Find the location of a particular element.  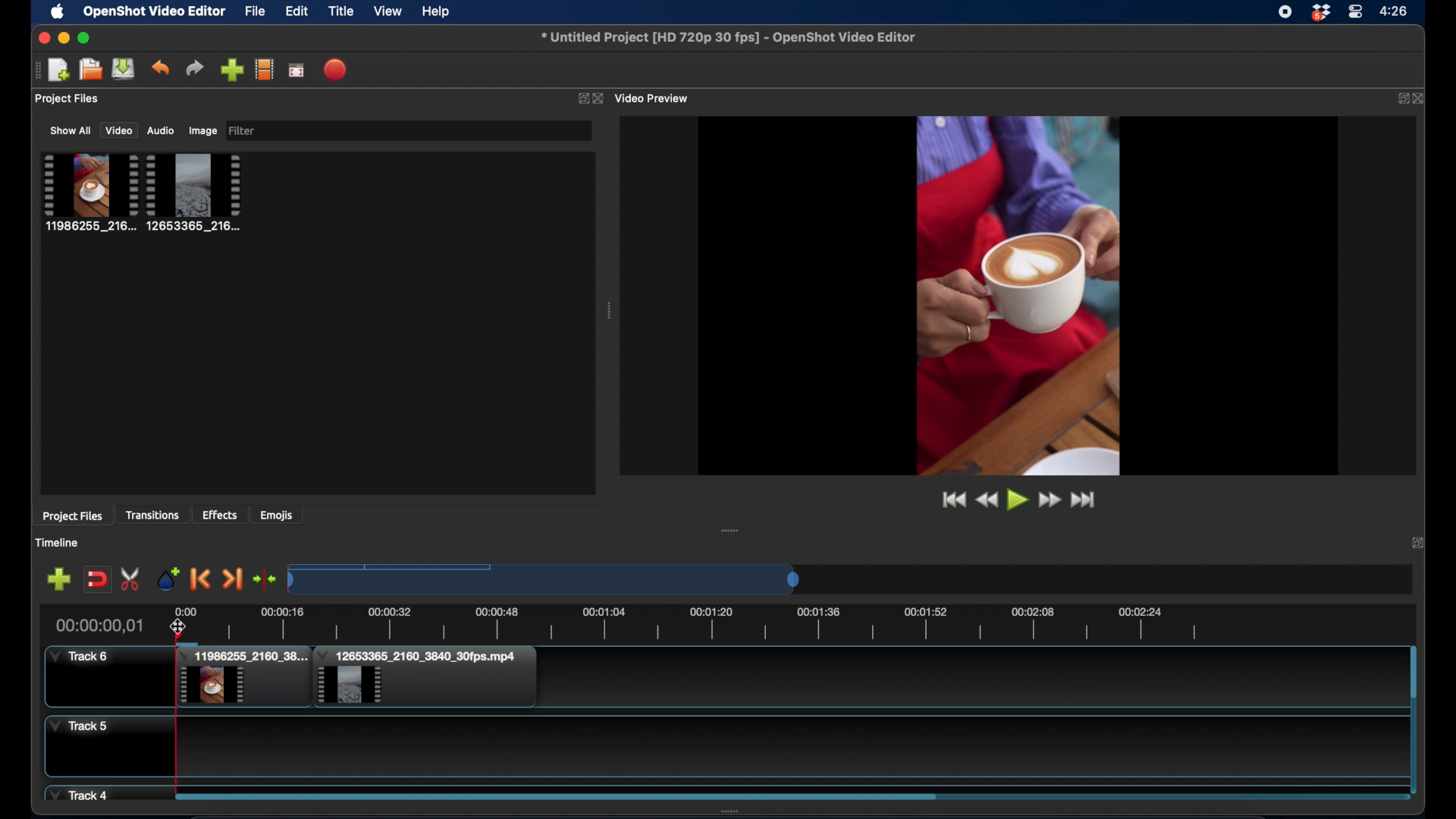

redo is located at coordinates (195, 68).